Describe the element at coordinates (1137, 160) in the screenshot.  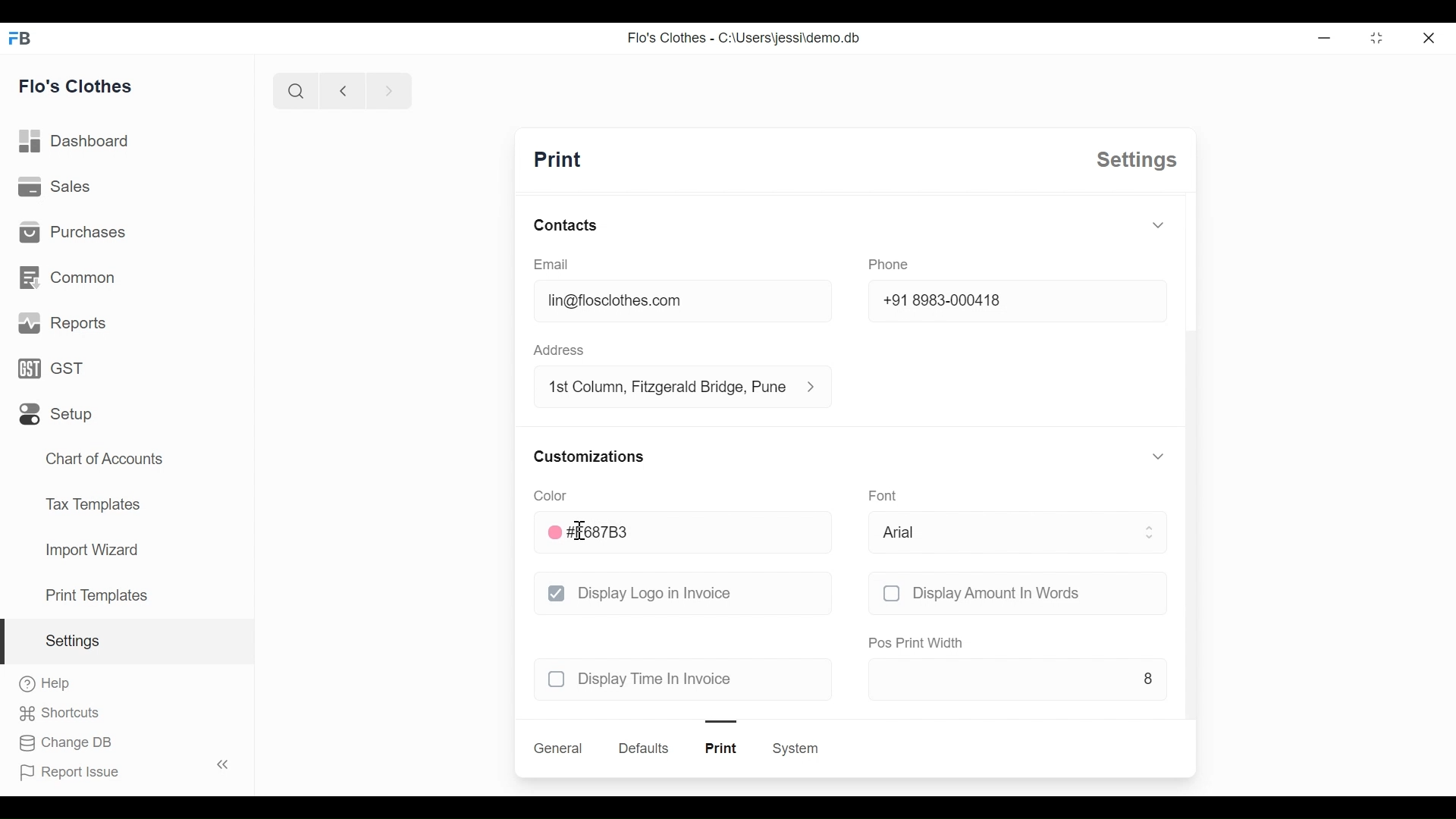
I see `settings` at that location.